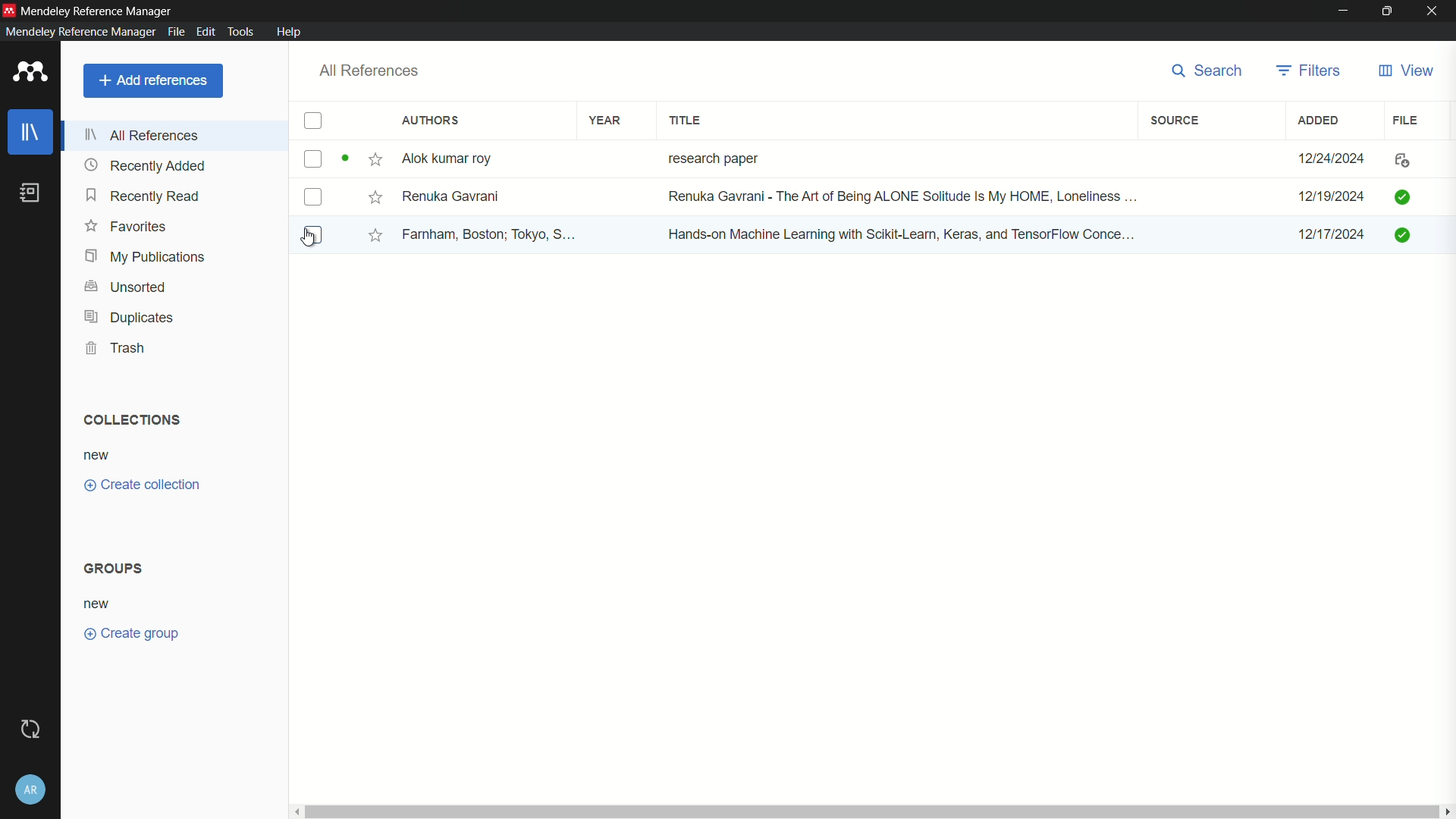 The width and height of the screenshot is (1456, 819). I want to click on Renuka Gavrani Renuka Gavrani - The Art of Being ALONE Solitude Is My HOME, Loneliness ..., so click(773, 196).